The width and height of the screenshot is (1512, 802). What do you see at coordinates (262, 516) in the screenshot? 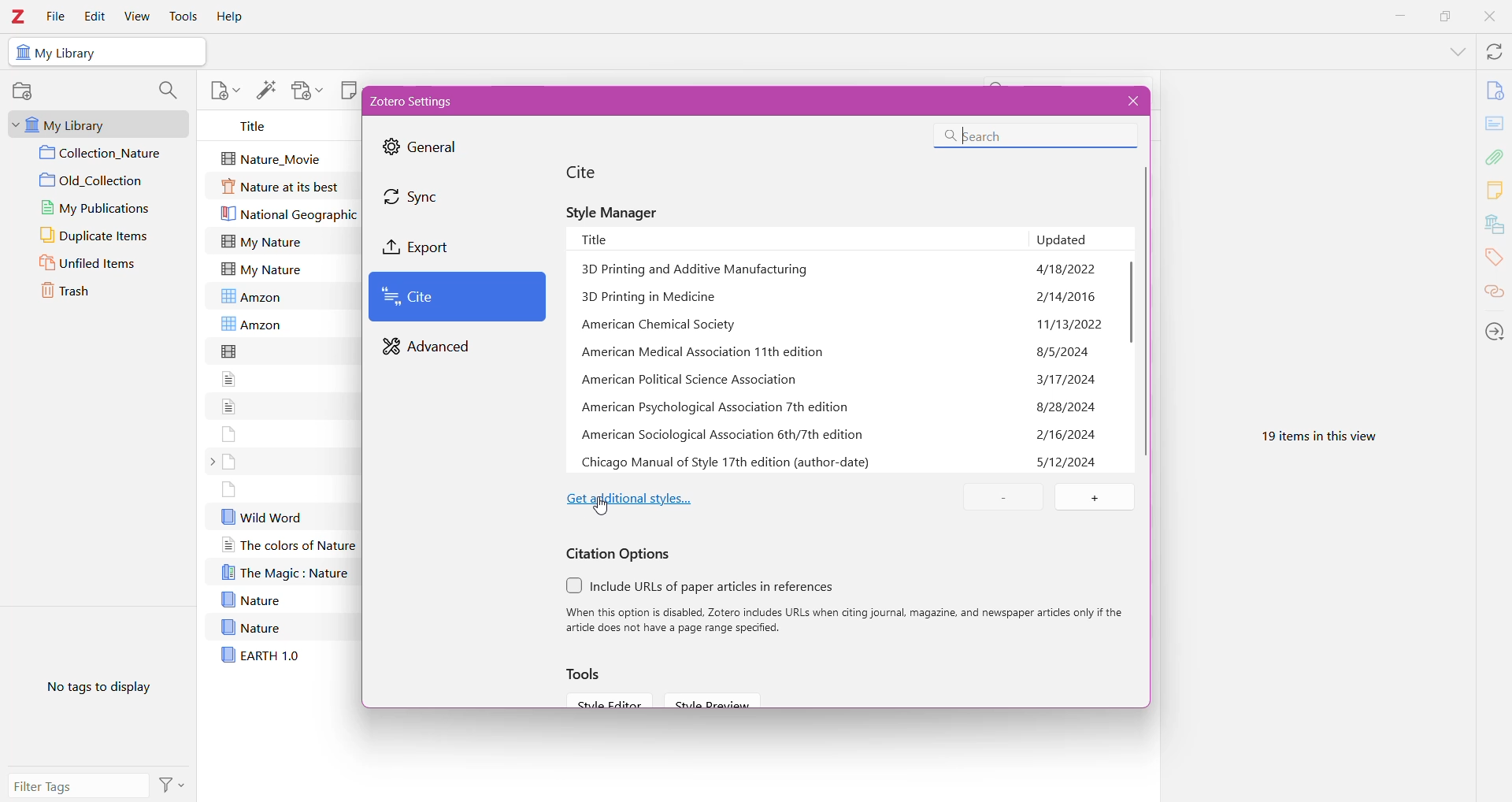
I see `Wild Word` at bounding box center [262, 516].